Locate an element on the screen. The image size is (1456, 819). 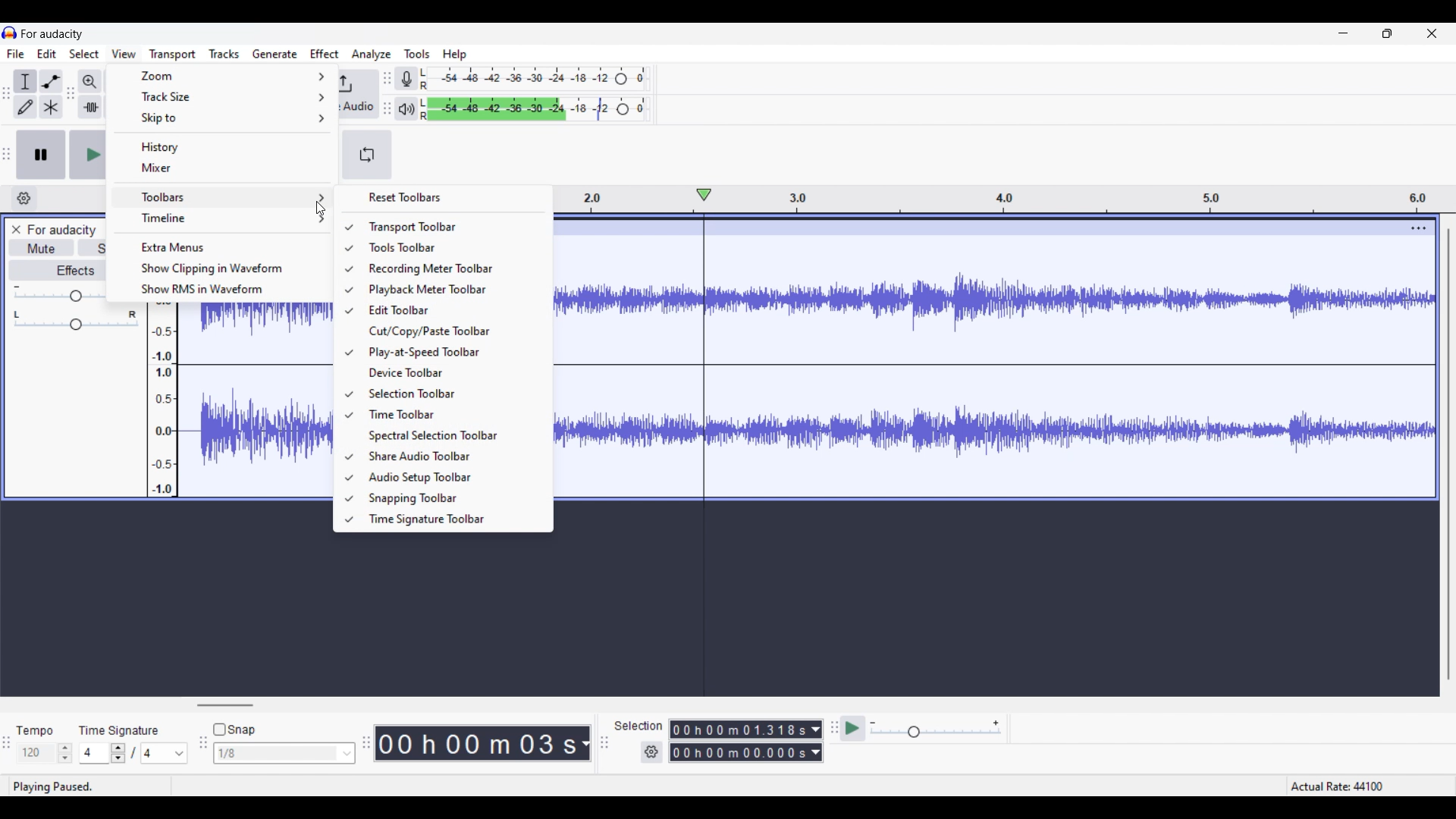
Pan scale is located at coordinates (77, 320).